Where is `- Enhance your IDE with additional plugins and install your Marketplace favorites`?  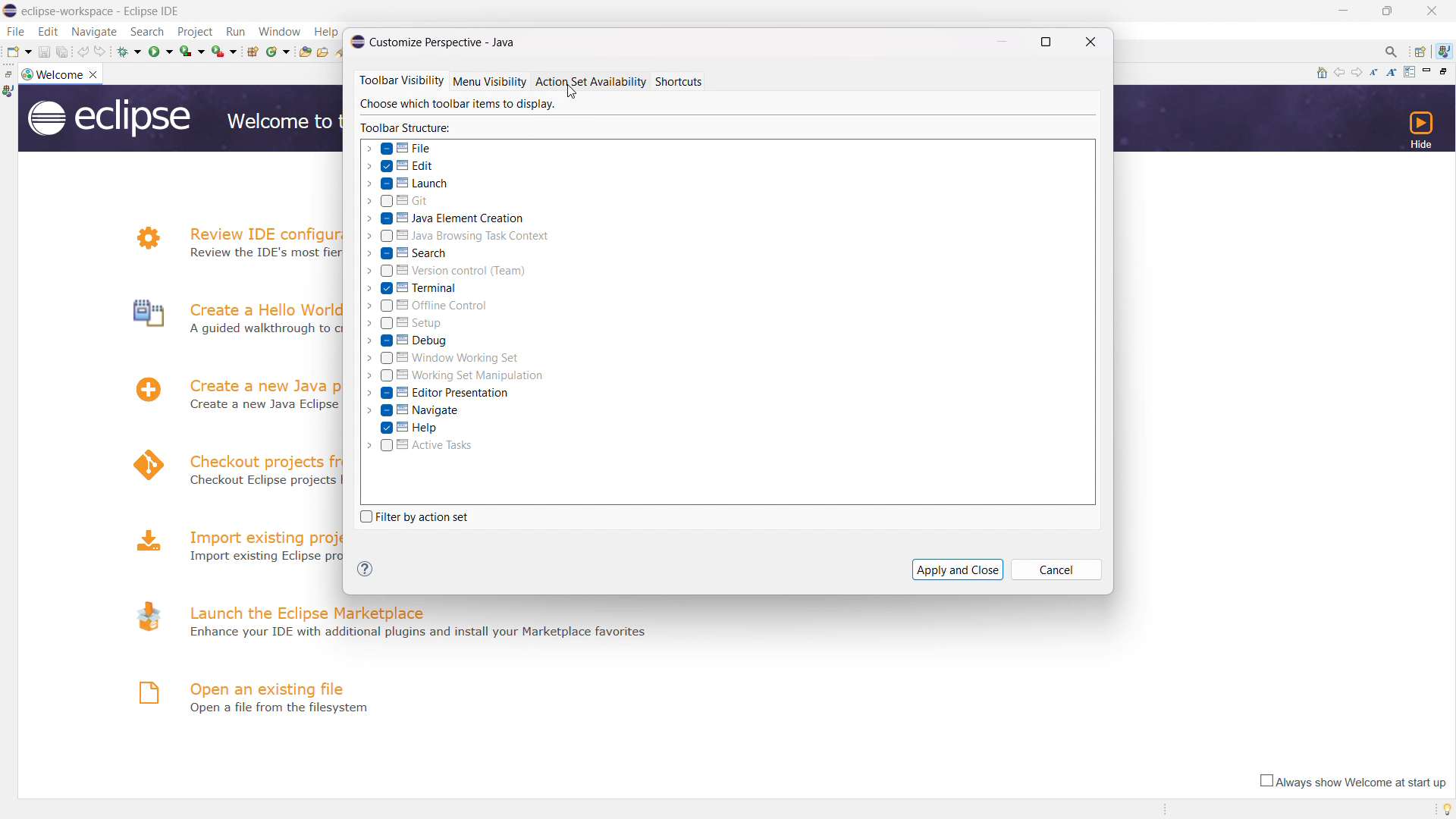 - Enhance your IDE with additional plugins and install your Marketplace favorites is located at coordinates (422, 632).